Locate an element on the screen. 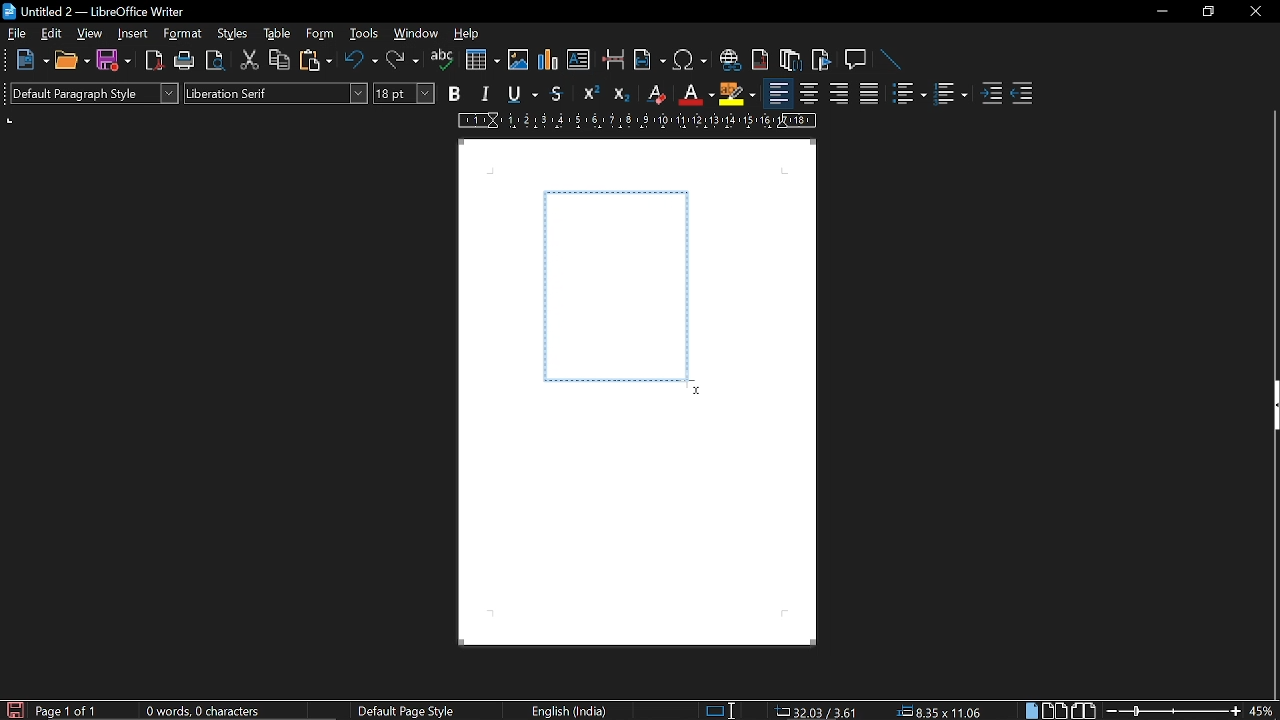  highlight is located at coordinates (737, 93).